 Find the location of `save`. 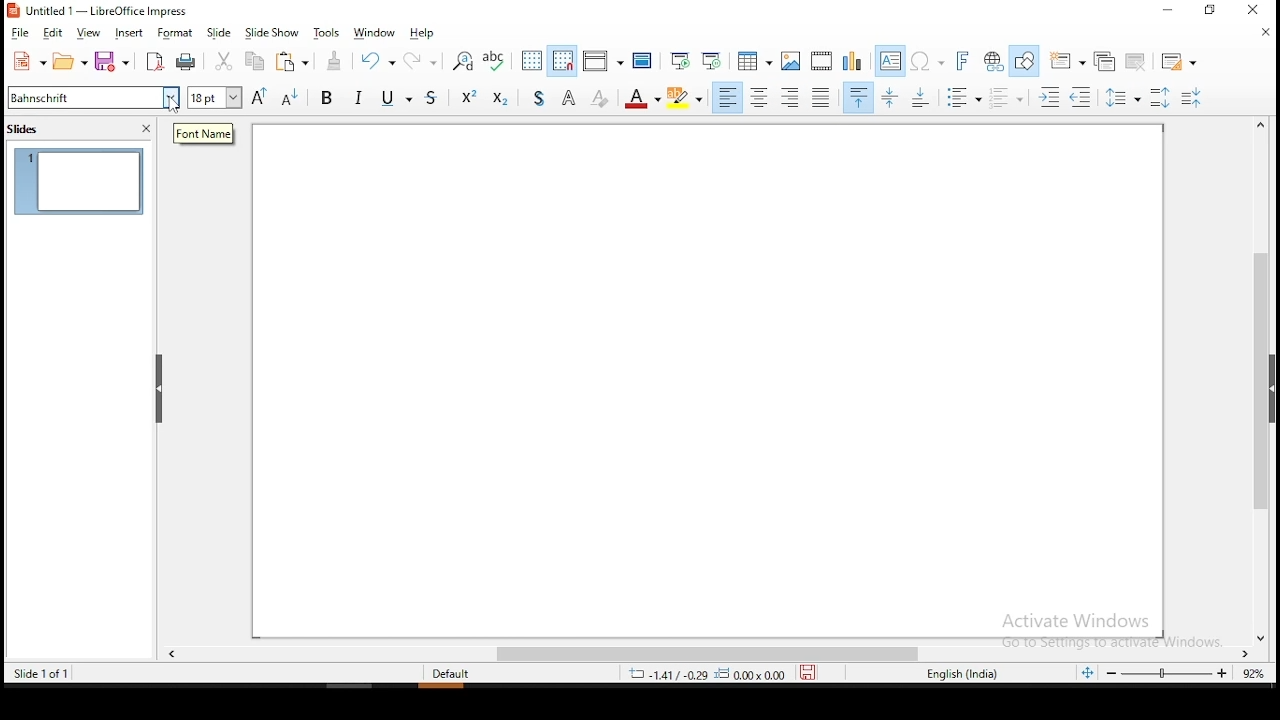

save is located at coordinates (815, 674).